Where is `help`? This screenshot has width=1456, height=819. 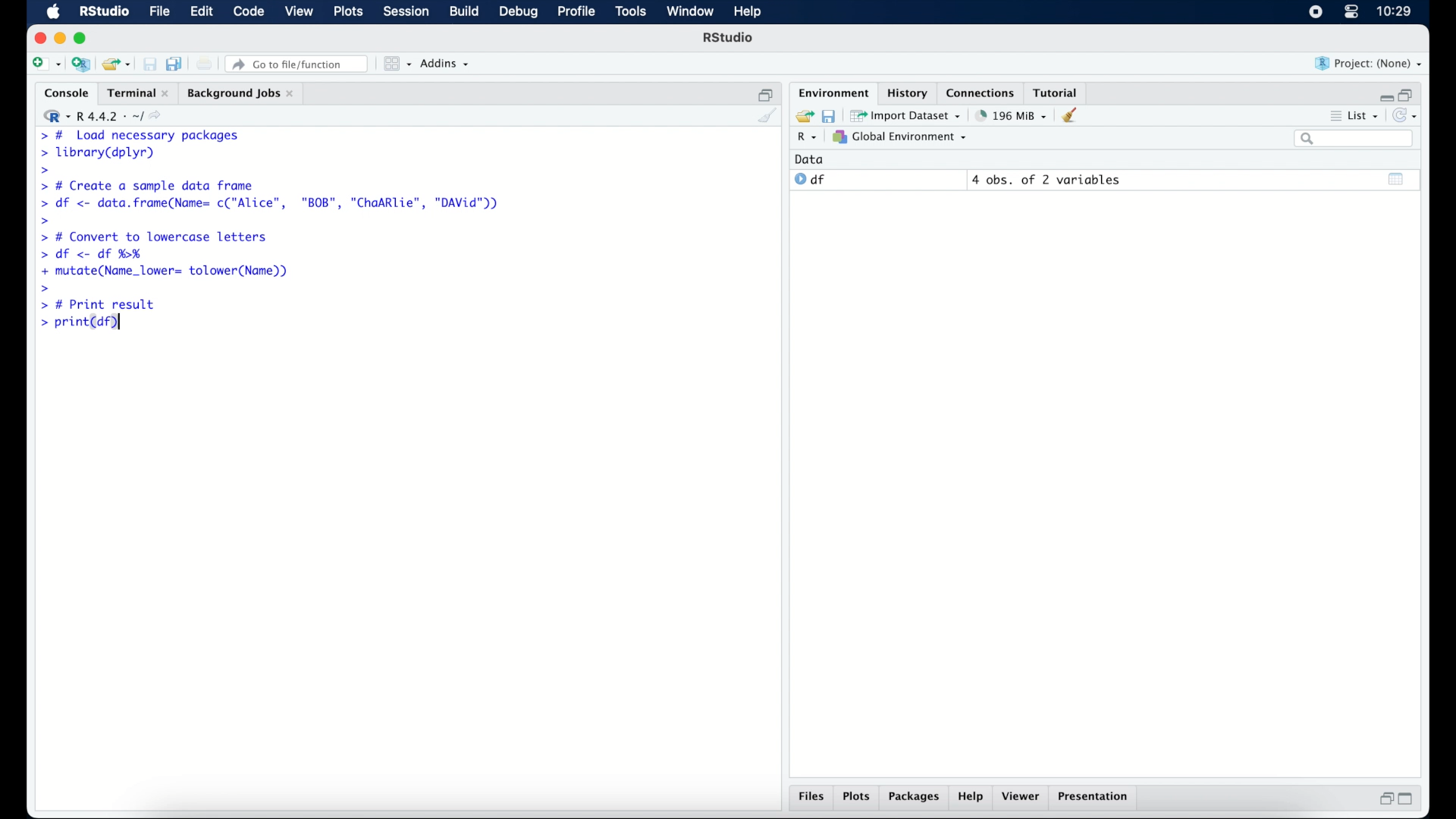 help is located at coordinates (971, 799).